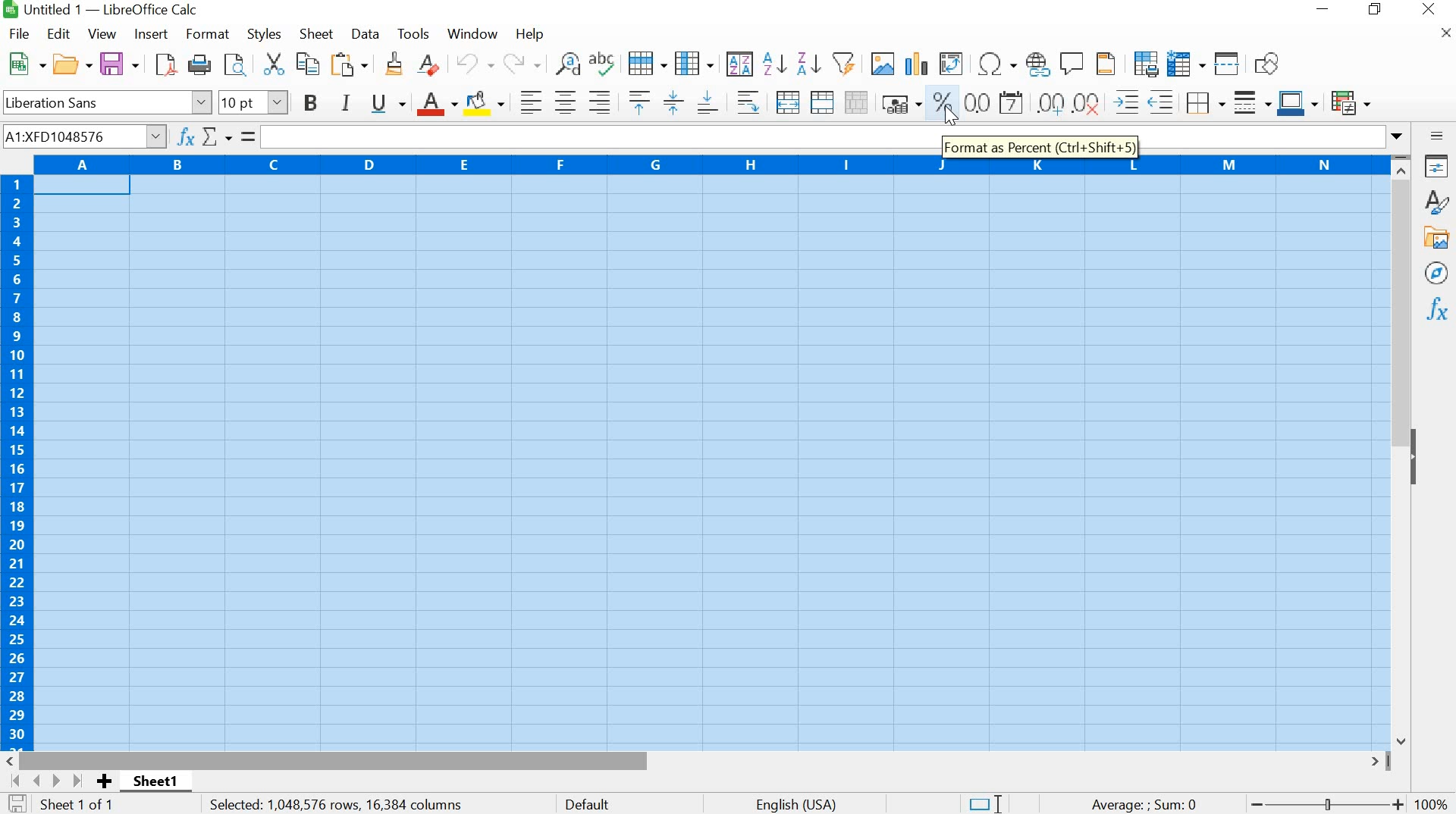  What do you see at coordinates (162, 783) in the screenshot?
I see `SHEET1` at bounding box center [162, 783].